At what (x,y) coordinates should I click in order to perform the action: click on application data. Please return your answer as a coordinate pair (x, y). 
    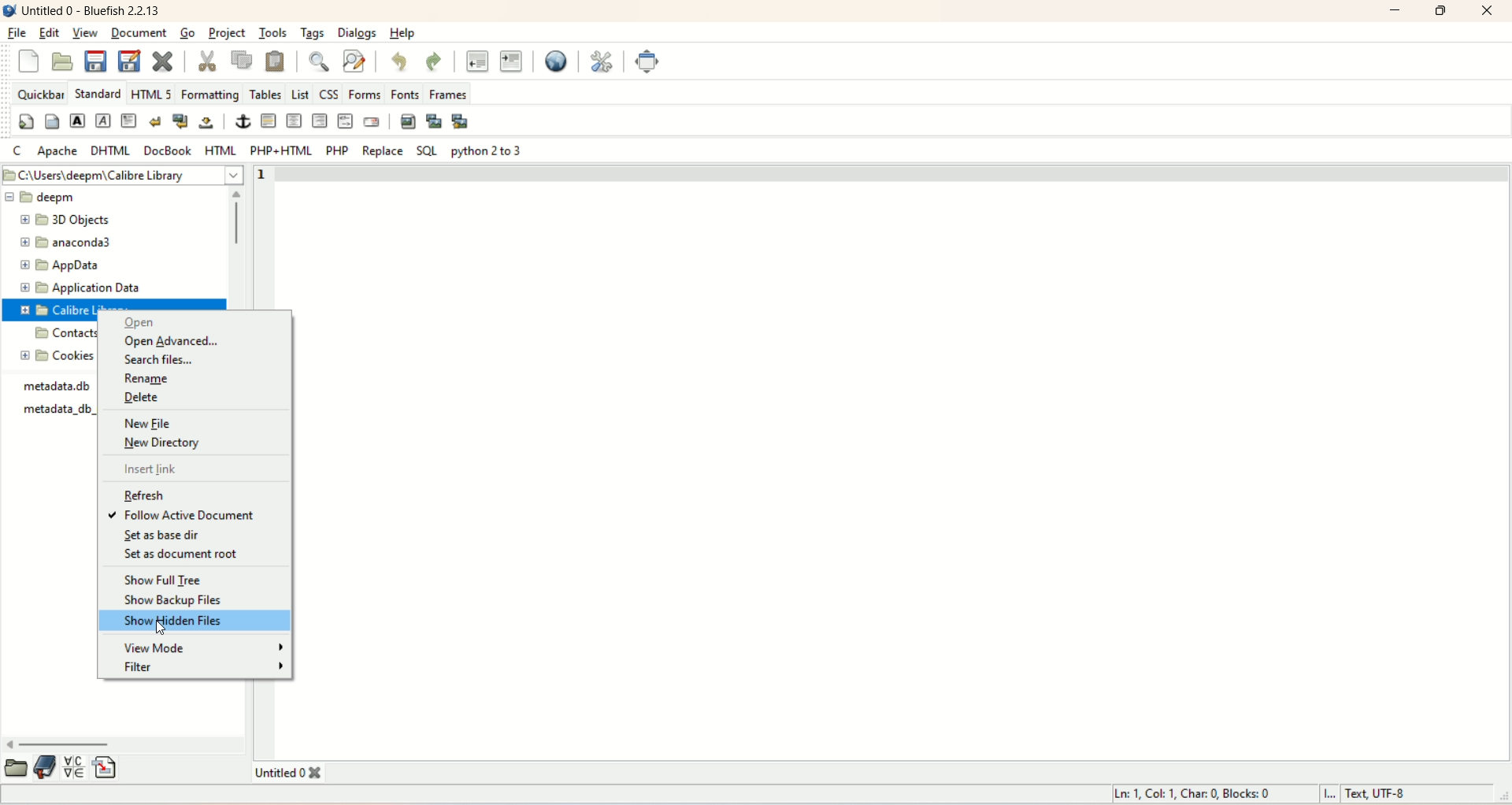
    Looking at the image, I should click on (78, 289).